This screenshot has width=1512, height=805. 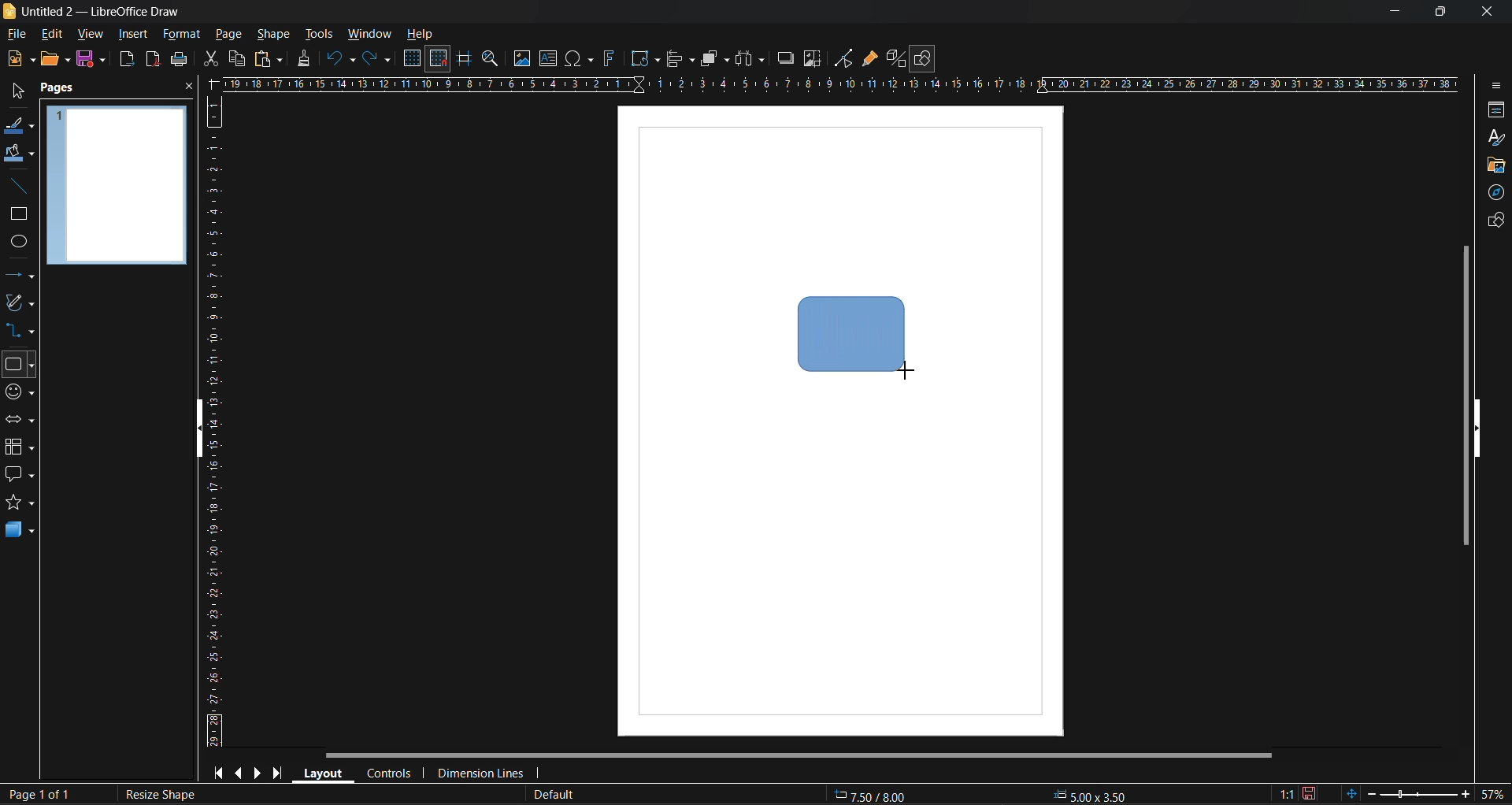 What do you see at coordinates (1465, 796) in the screenshot?
I see `zoom in` at bounding box center [1465, 796].